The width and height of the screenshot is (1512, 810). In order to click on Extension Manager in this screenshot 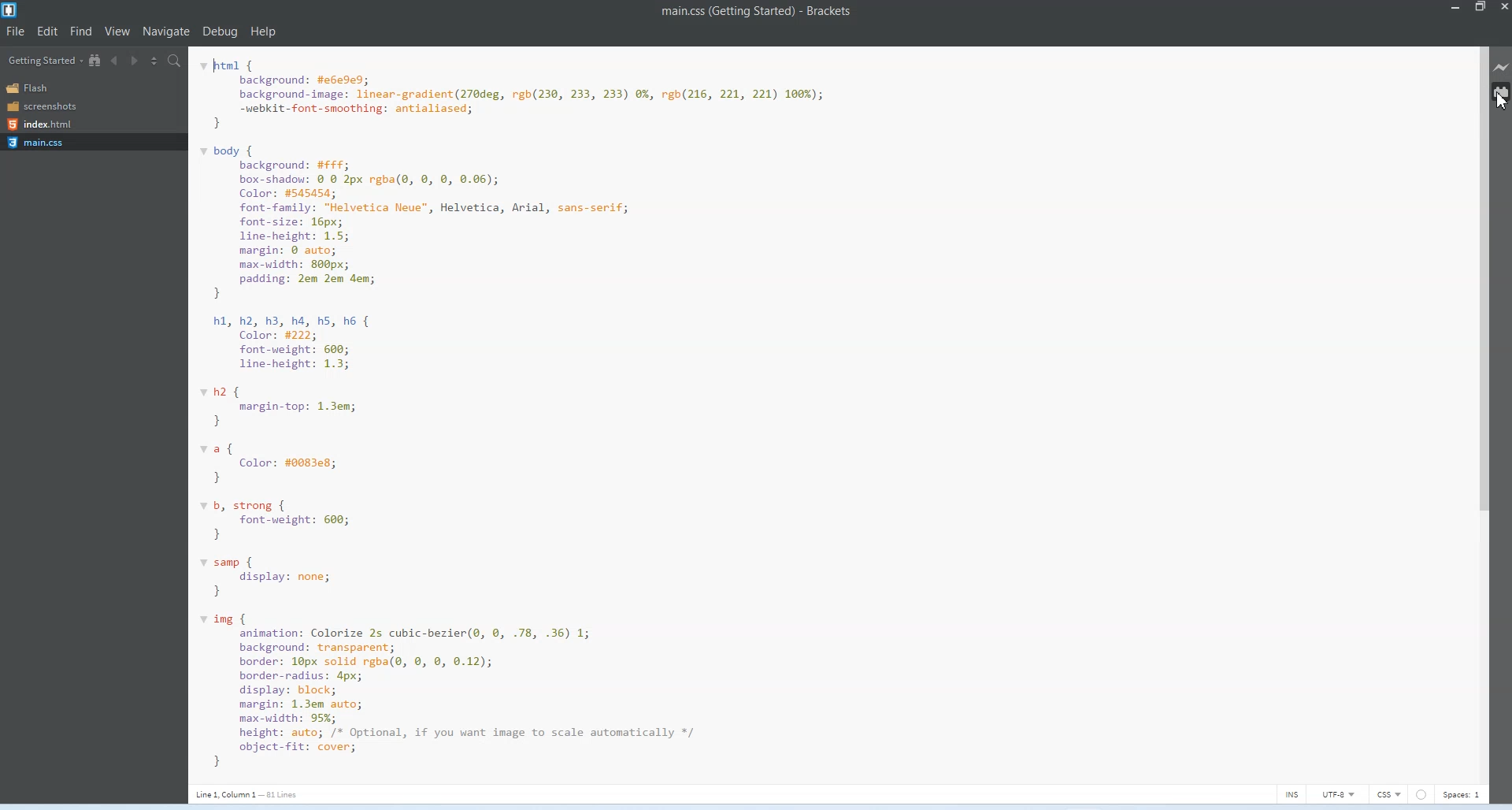, I will do `click(1502, 95)`.